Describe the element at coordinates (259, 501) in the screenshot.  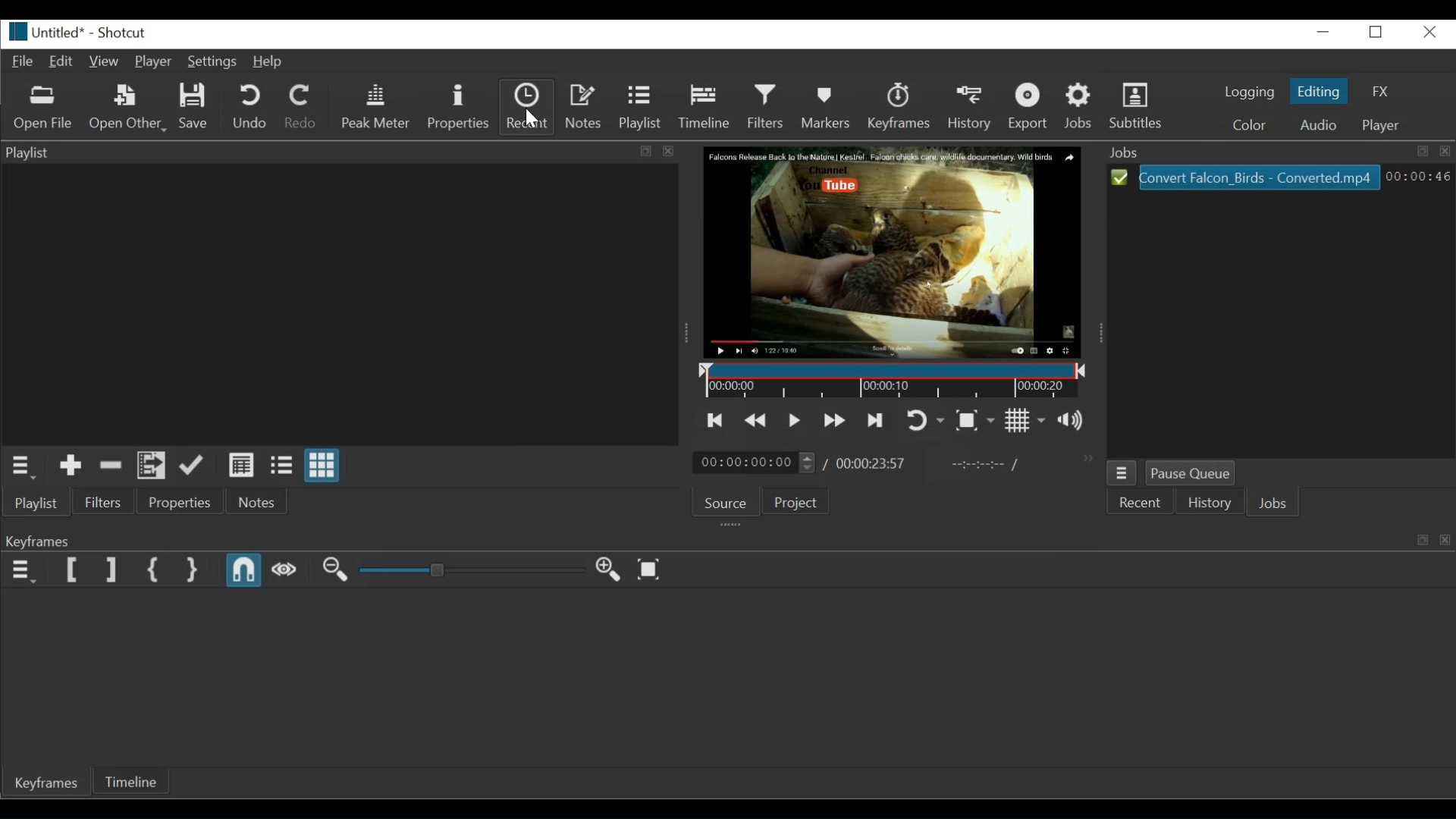
I see `Notes` at that location.